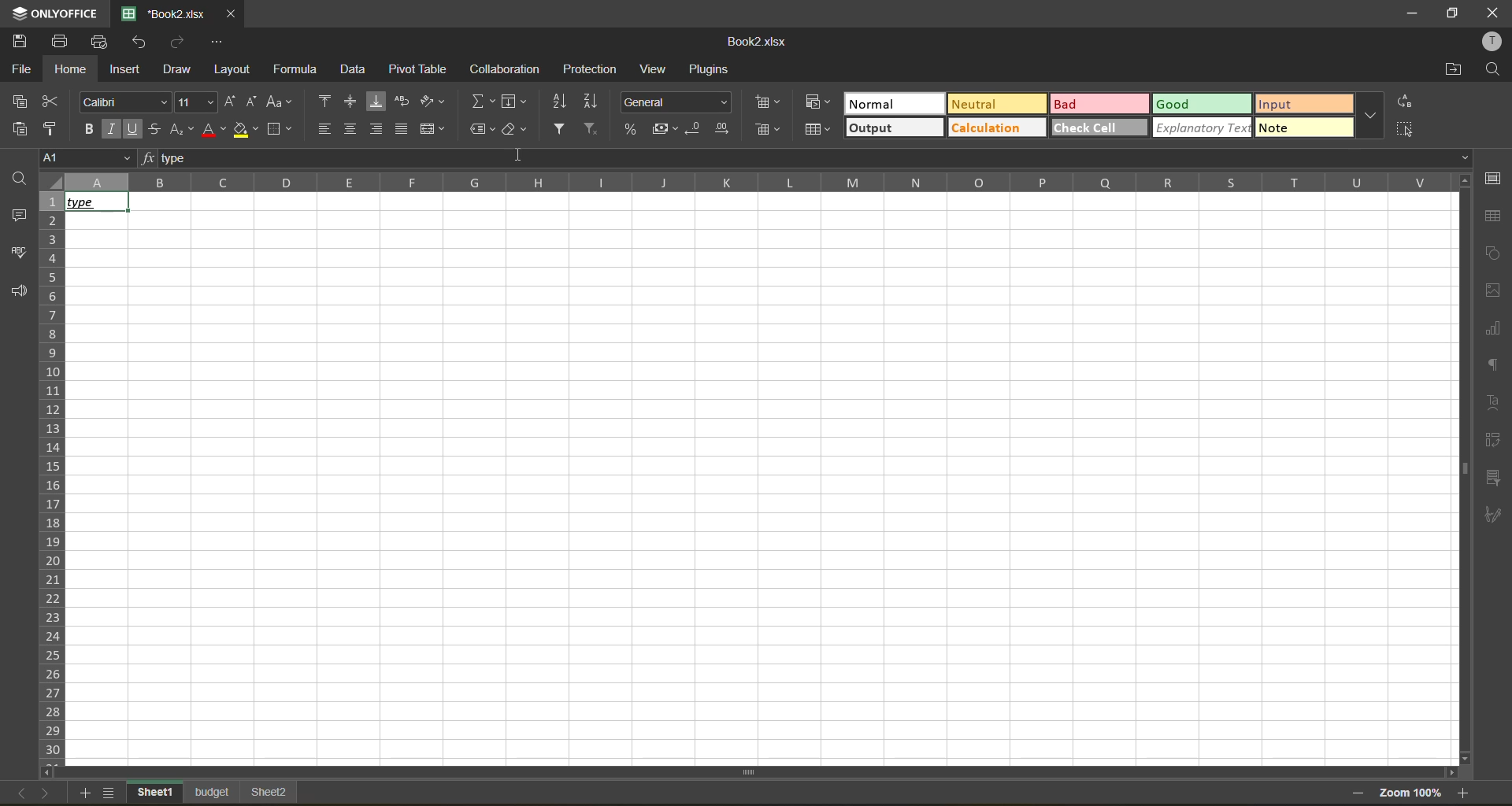 The height and width of the screenshot is (806, 1512). I want to click on strikethrough, so click(158, 129).